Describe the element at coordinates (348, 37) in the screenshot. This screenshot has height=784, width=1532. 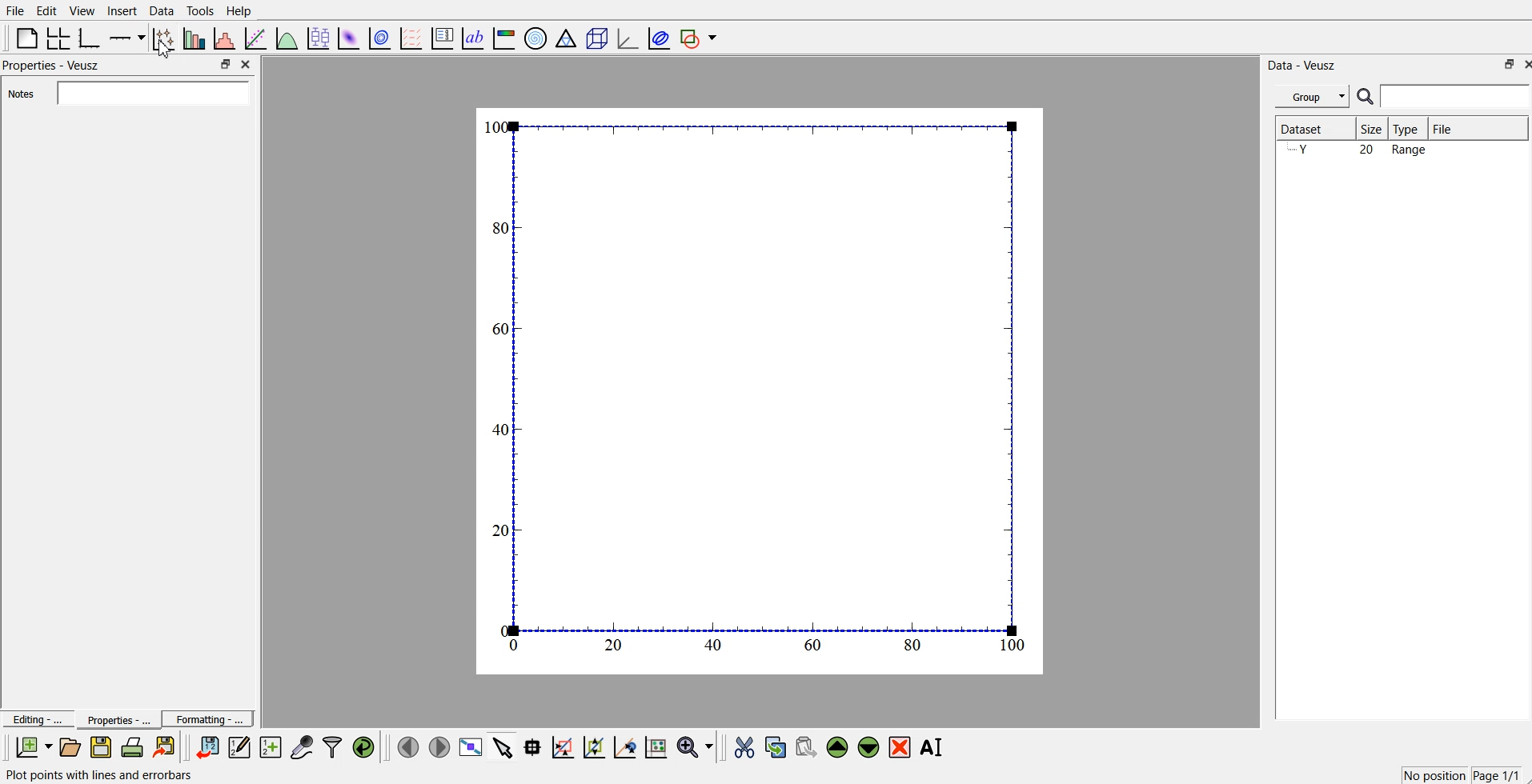
I see `plot a 2d dataset as an` at that location.